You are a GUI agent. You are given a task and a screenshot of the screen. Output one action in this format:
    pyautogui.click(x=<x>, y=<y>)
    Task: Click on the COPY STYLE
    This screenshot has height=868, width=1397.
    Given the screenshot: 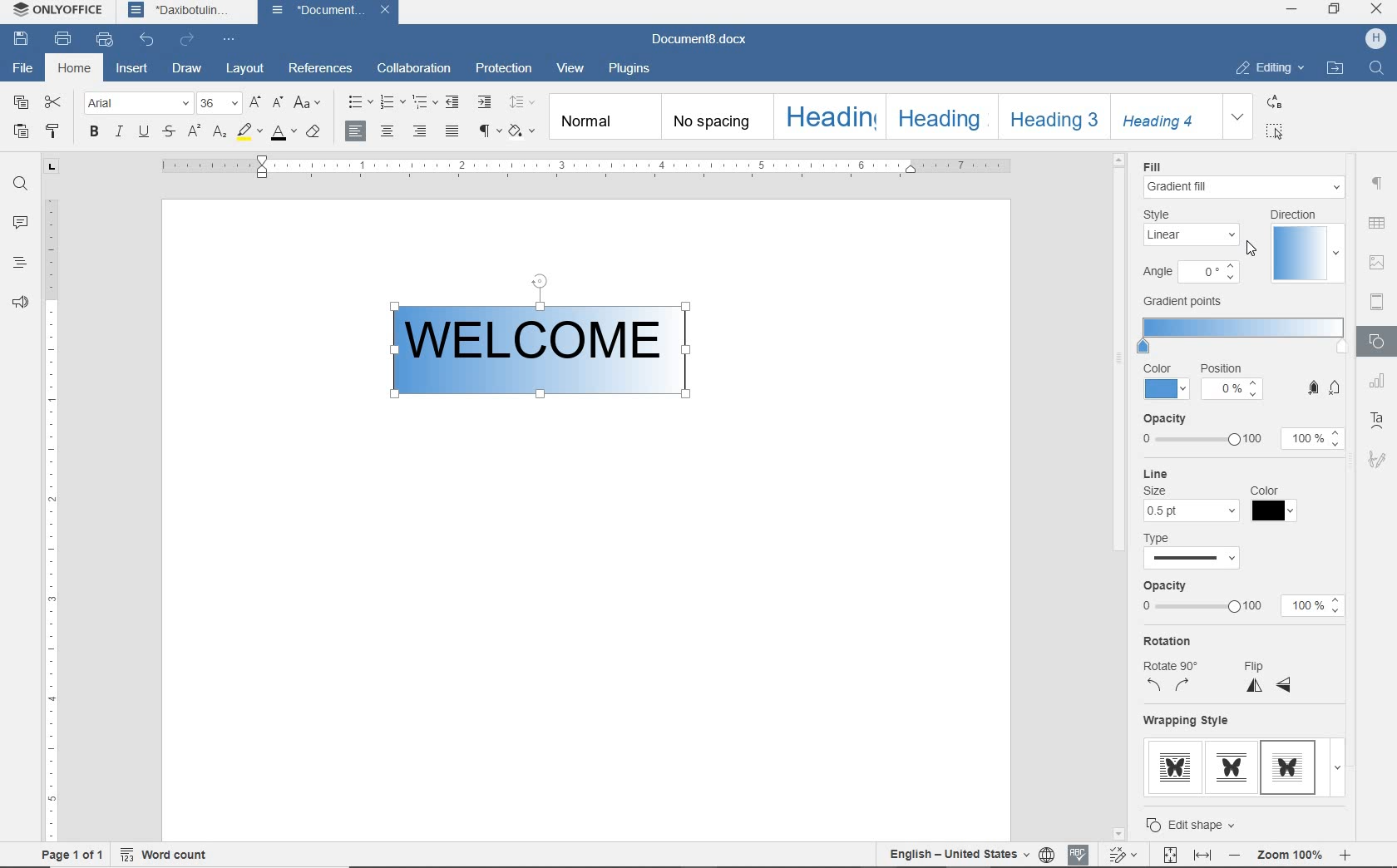 What is the action you would take?
    pyautogui.click(x=55, y=130)
    